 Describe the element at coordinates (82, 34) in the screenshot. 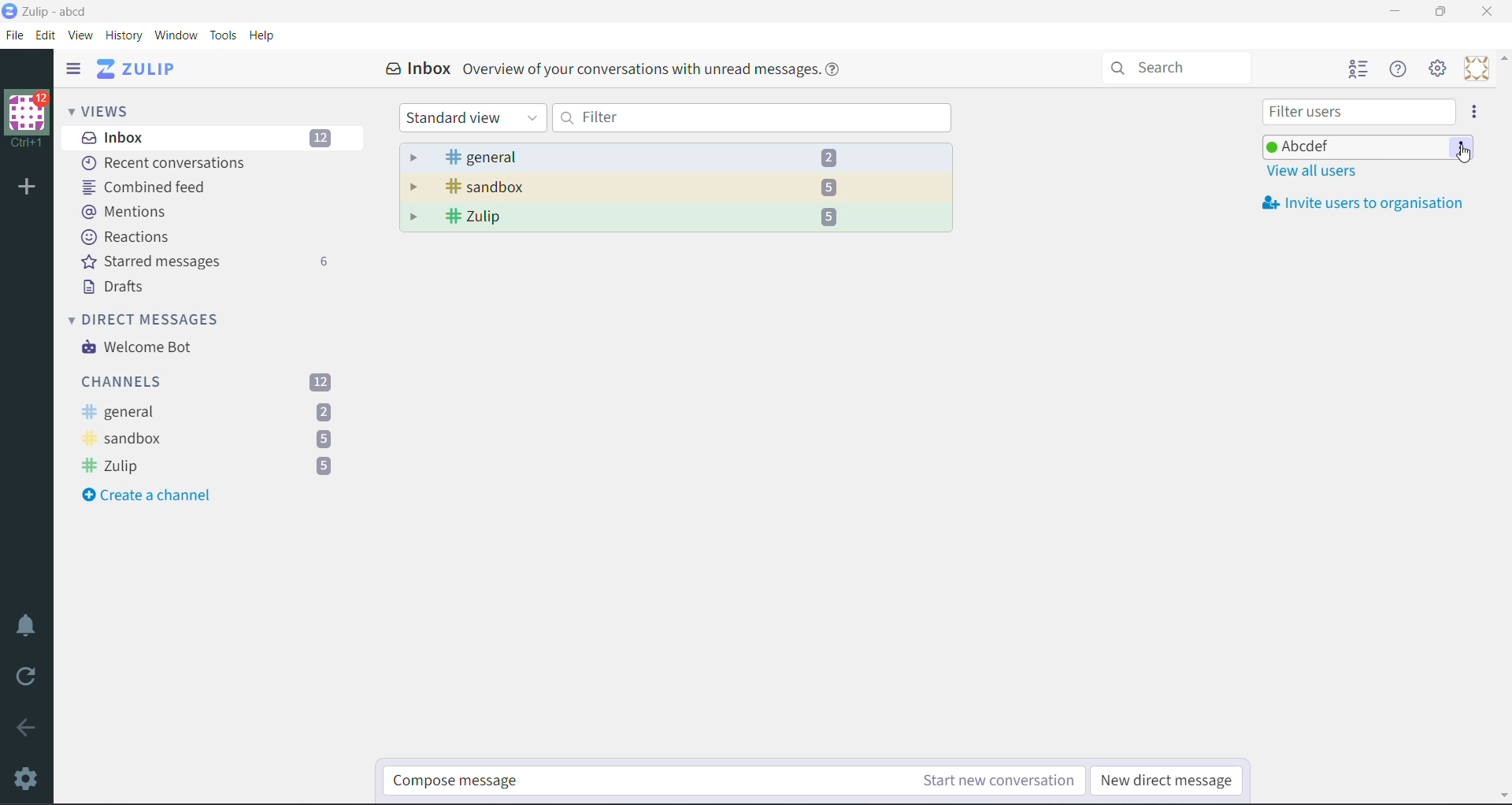

I see `View` at that location.